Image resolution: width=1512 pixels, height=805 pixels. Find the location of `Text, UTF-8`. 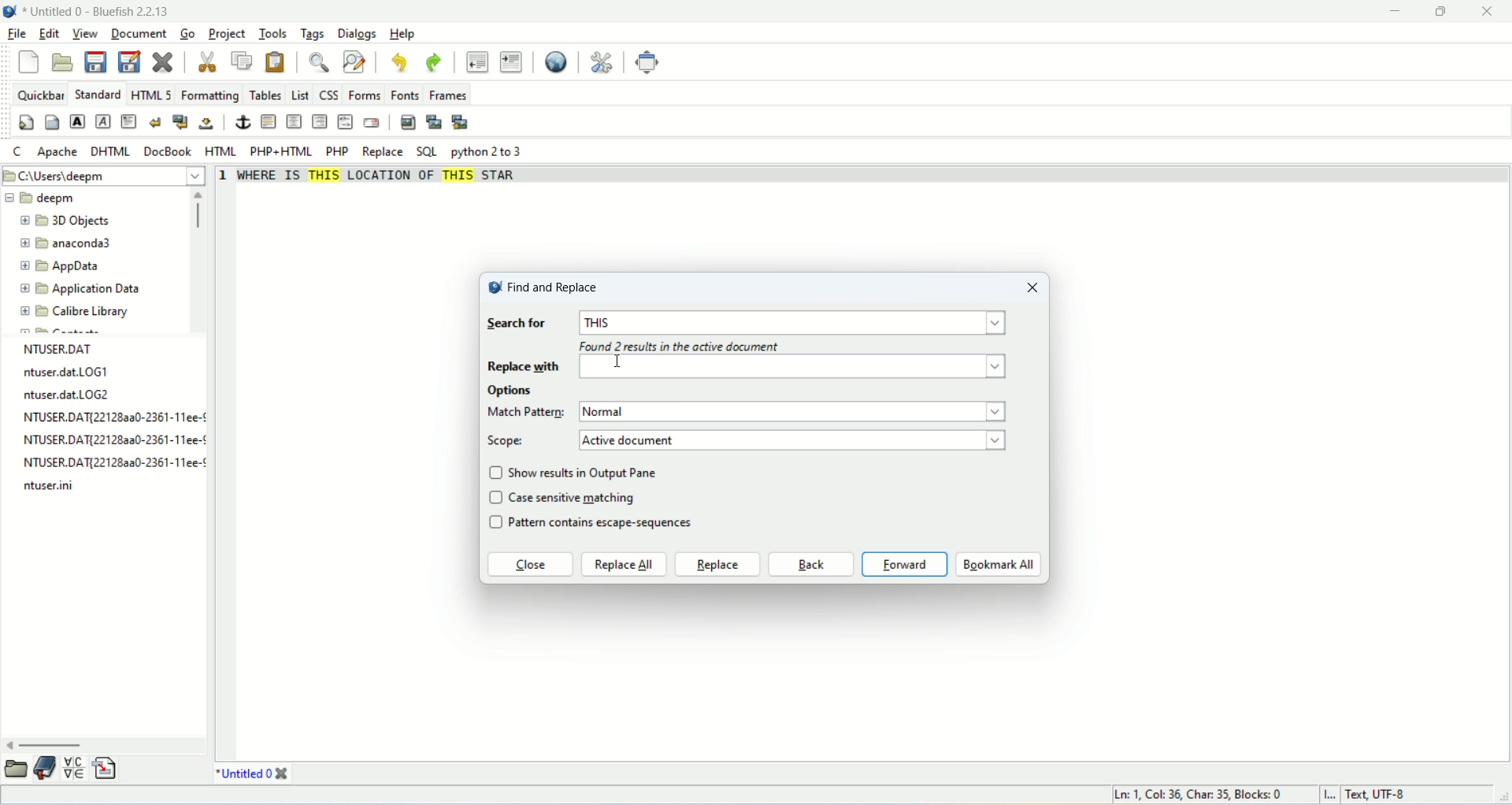

Text, UTF-8 is located at coordinates (1373, 796).